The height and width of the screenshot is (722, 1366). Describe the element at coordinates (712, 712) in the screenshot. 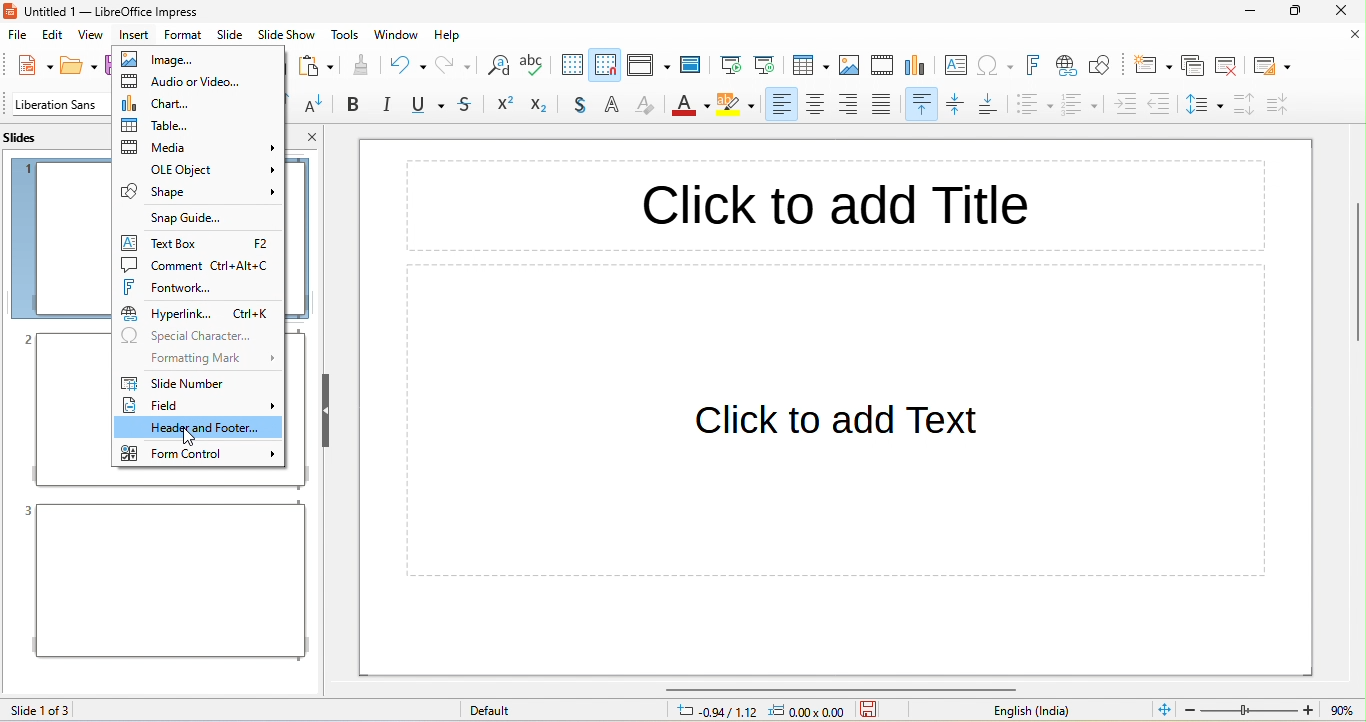

I see `0.94/1.12` at that location.